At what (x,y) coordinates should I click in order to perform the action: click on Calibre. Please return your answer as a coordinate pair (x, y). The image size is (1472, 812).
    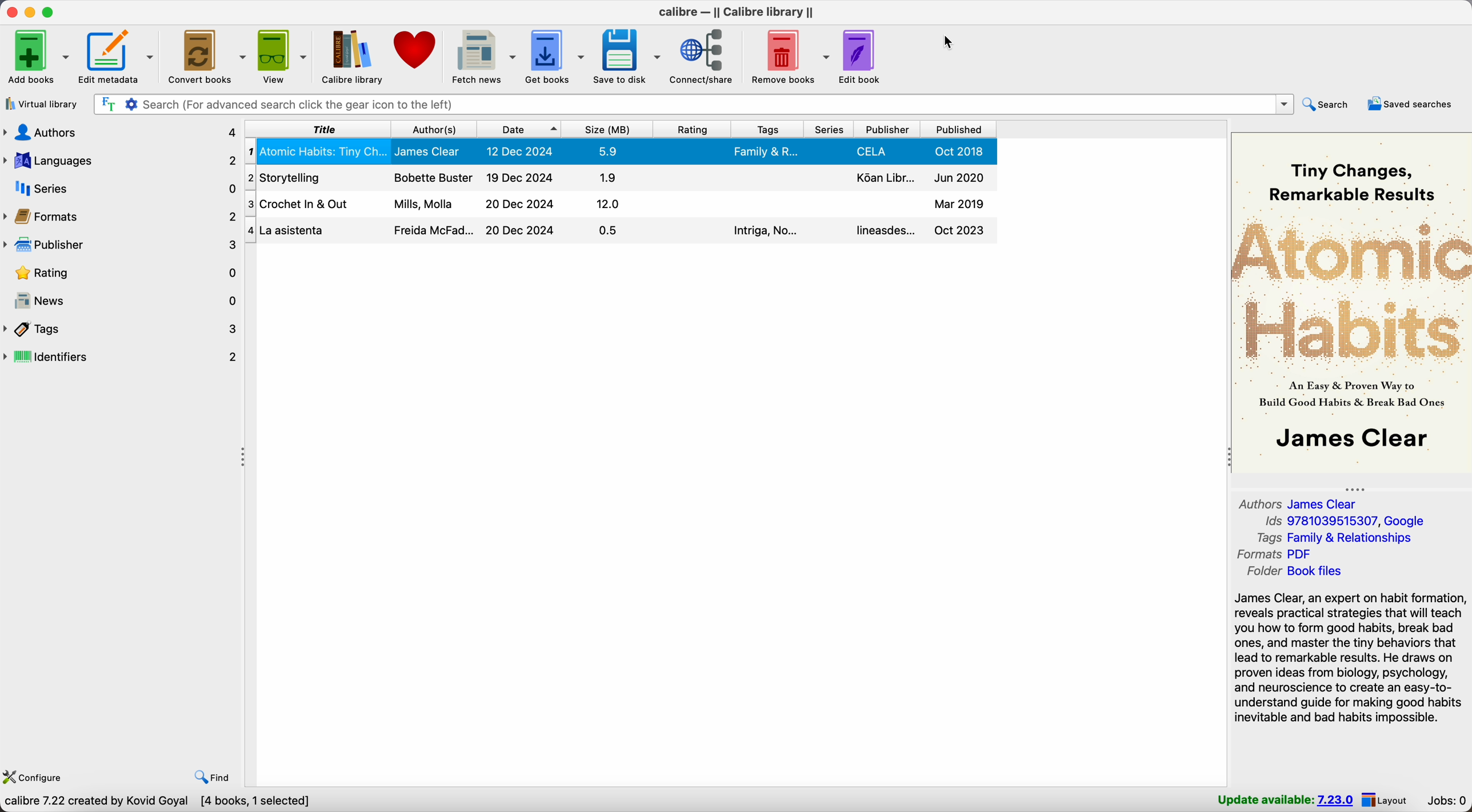
    Looking at the image, I should click on (738, 12).